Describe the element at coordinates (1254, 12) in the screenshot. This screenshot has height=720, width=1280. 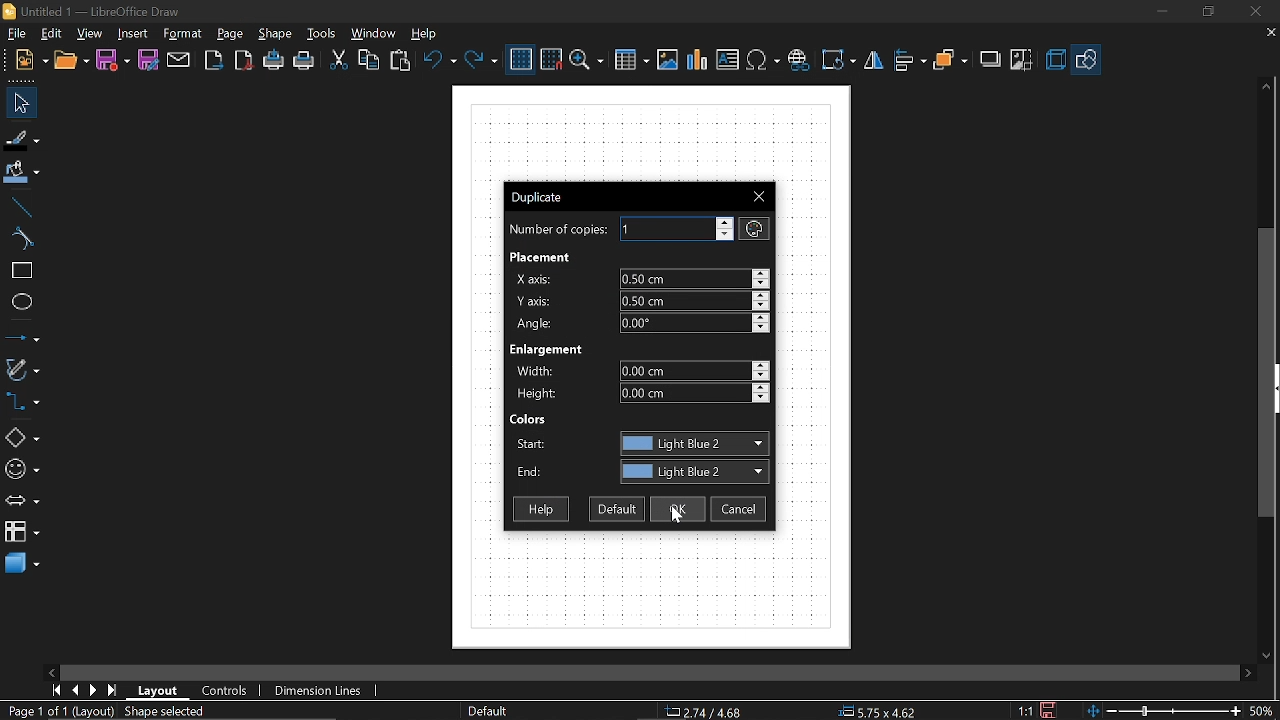
I see `Close` at that location.